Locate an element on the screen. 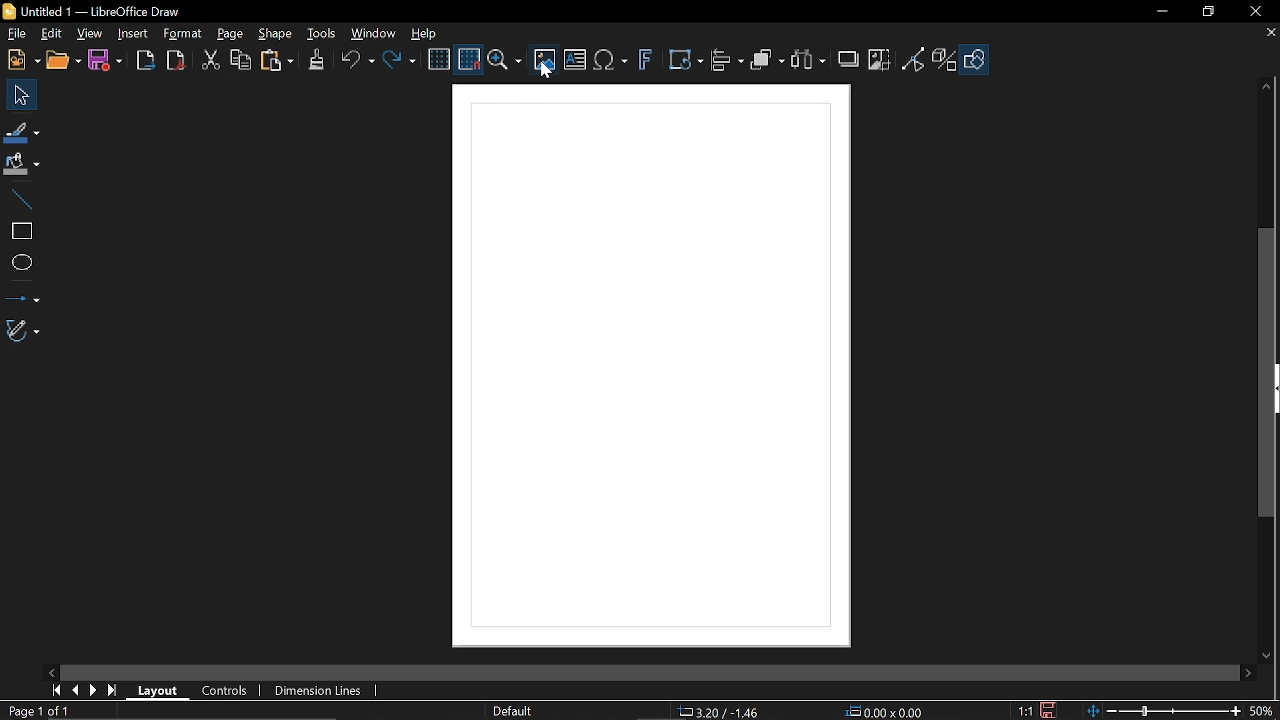 The height and width of the screenshot is (720, 1280). Shapes is located at coordinates (978, 59).